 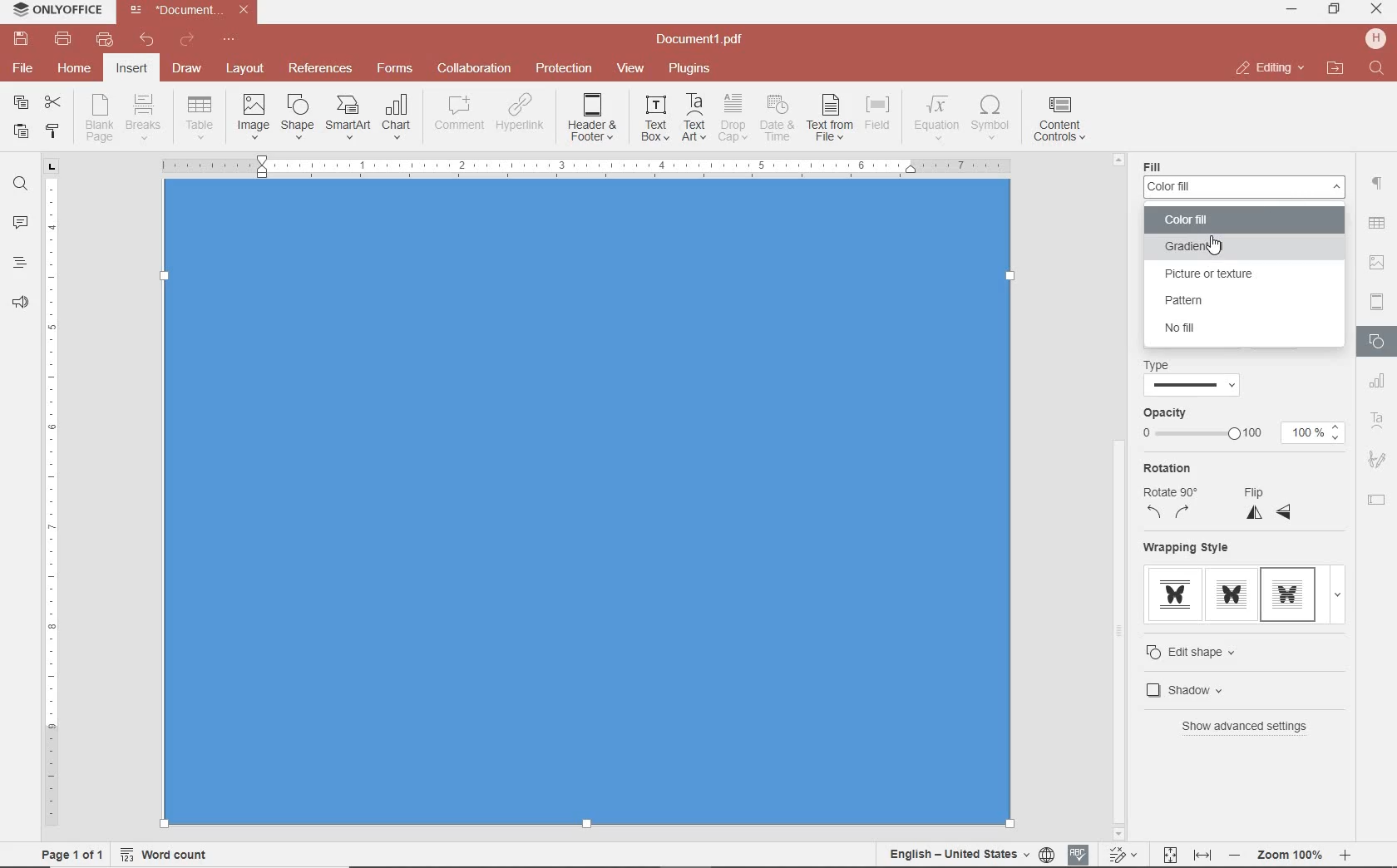 I want to click on insert drop down, so click(x=205, y=116).